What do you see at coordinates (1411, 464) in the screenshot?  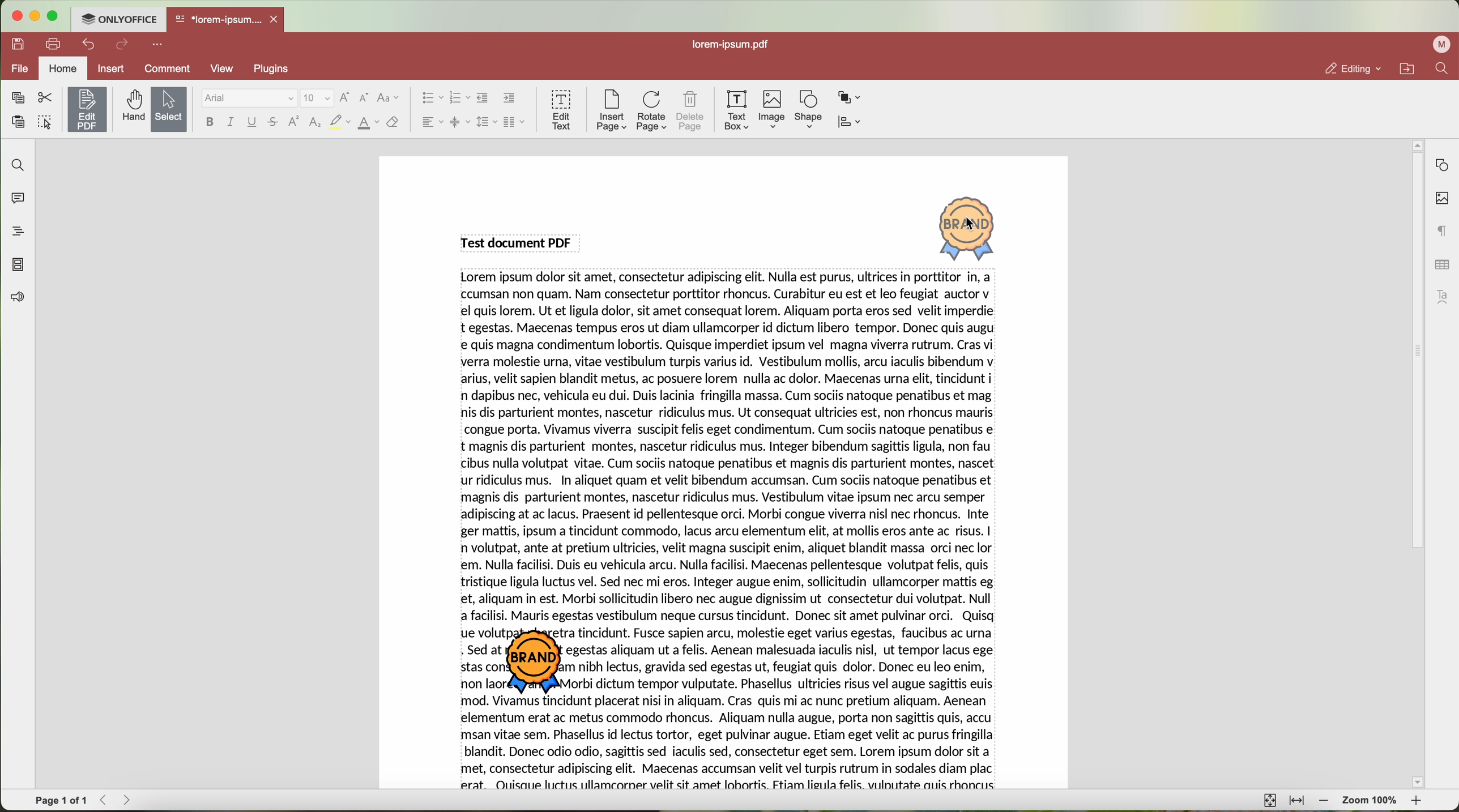 I see `scroll bar` at bounding box center [1411, 464].